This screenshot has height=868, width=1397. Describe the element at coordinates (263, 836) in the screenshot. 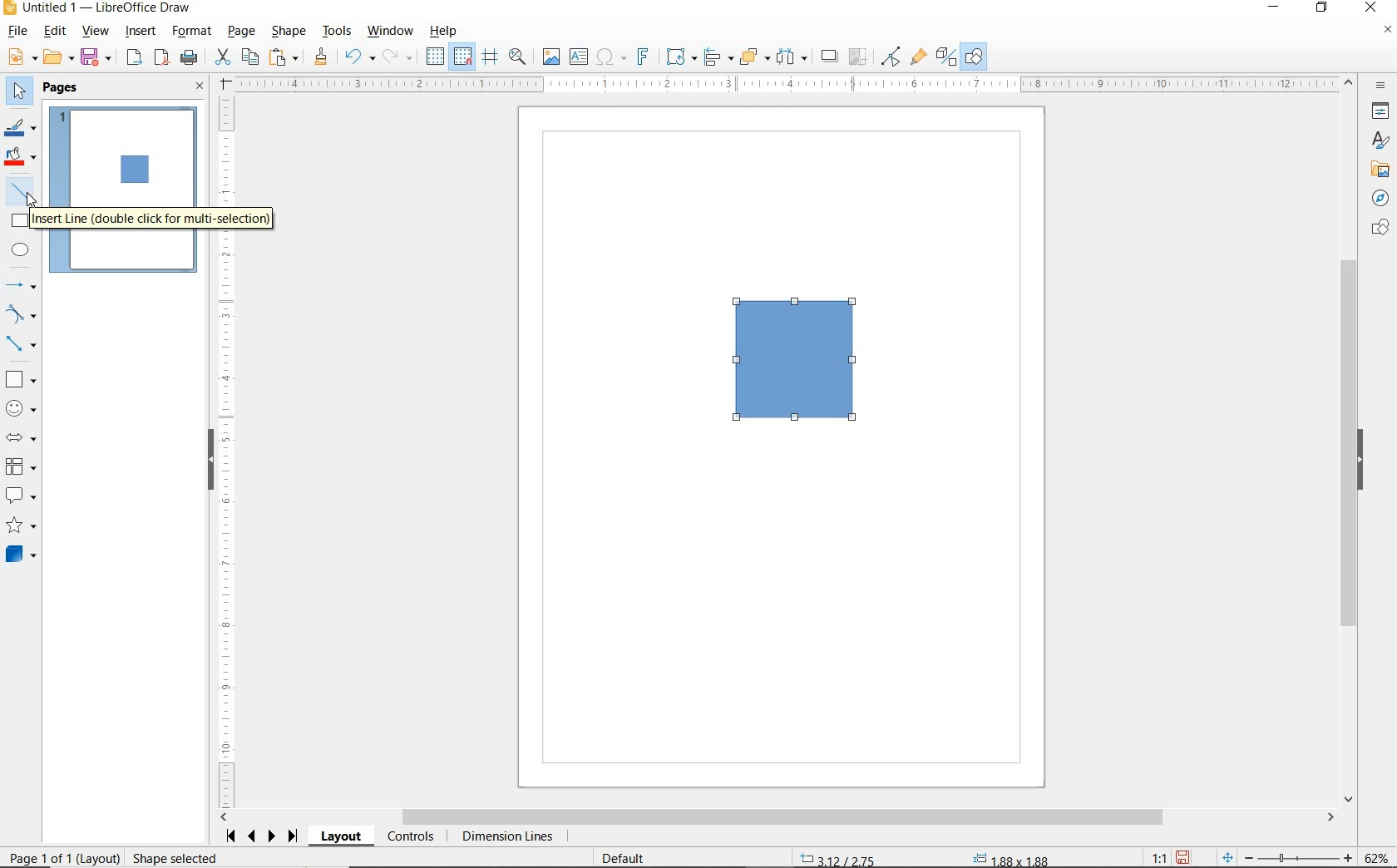

I see `SCROLL NEXT` at that location.